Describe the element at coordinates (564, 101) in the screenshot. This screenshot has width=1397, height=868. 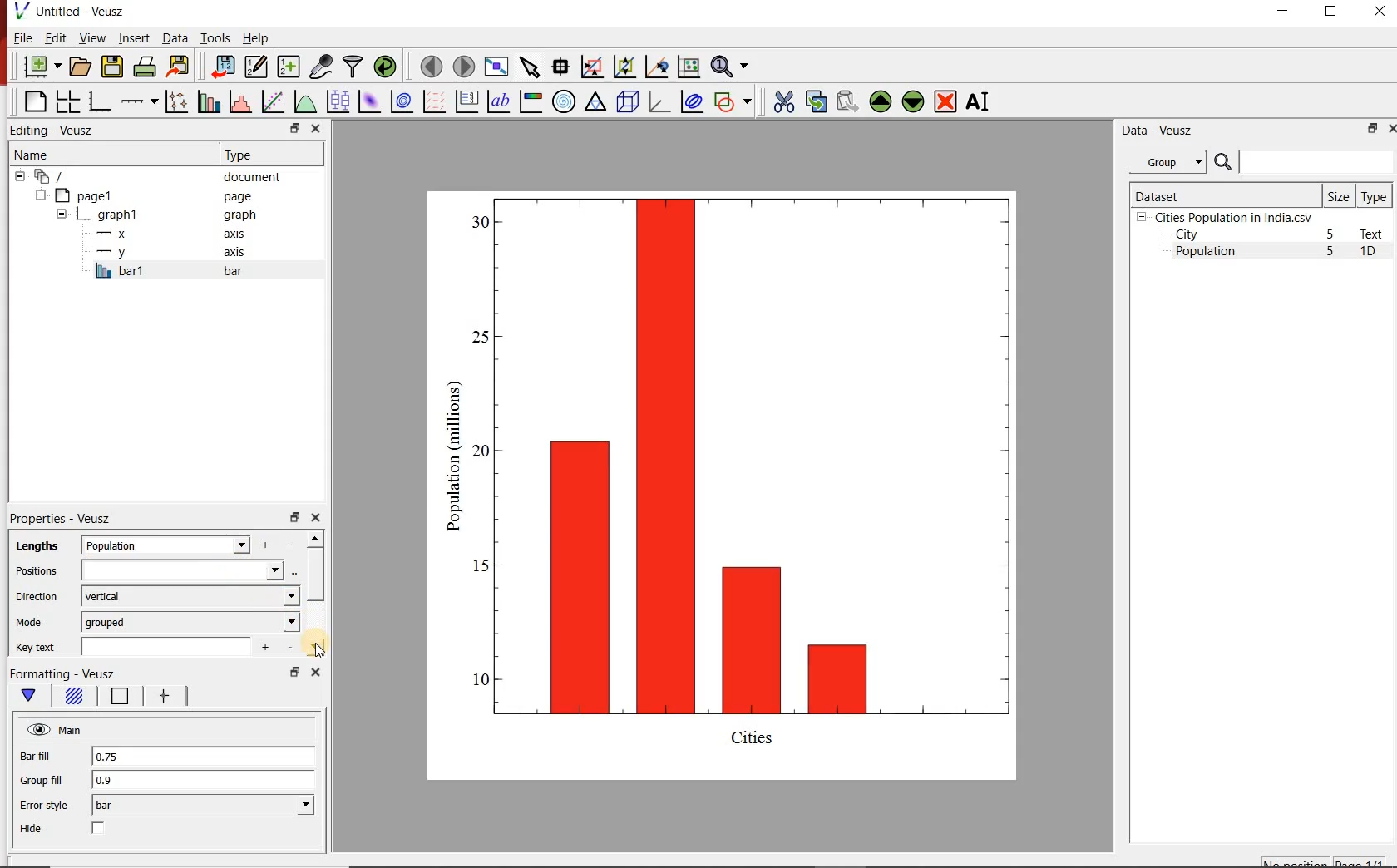
I see `polar graph` at that location.